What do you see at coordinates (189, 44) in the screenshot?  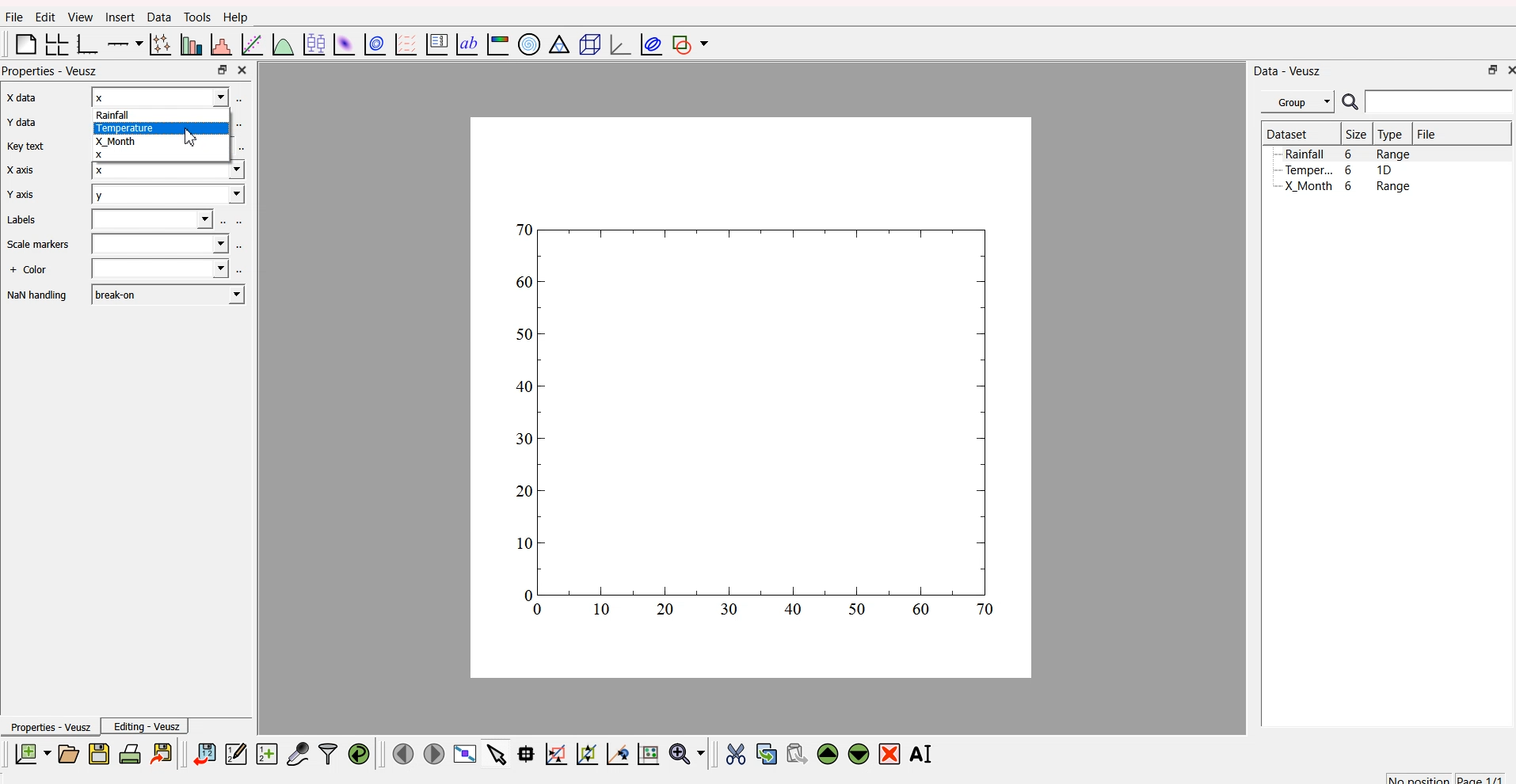 I see `plot bar chart` at bounding box center [189, 44].